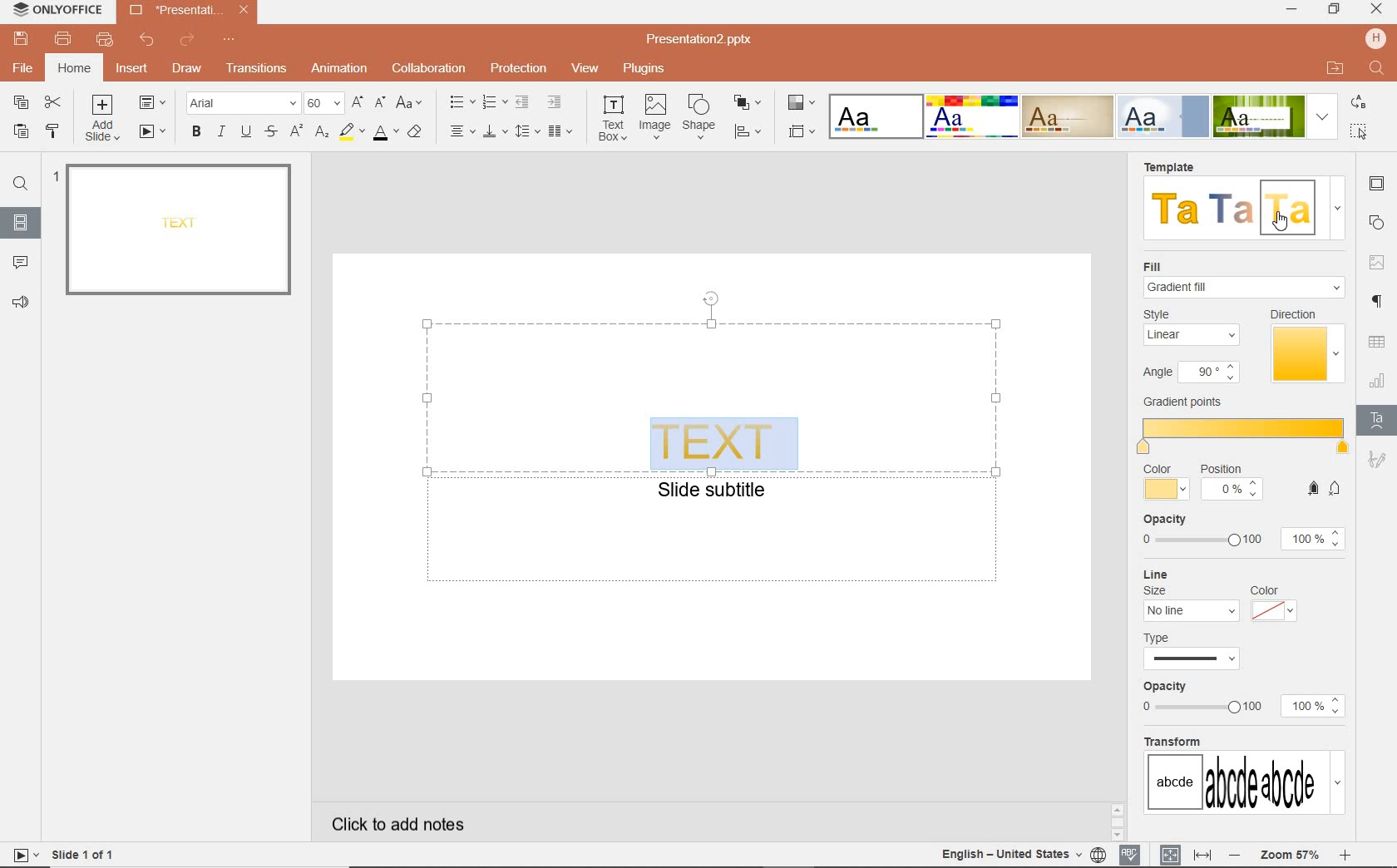  What do you see at coordinates (1379, 300) in the screenshot?
I see `PARAGRAPH SETTINGS` at bounding box center [1379, 300].